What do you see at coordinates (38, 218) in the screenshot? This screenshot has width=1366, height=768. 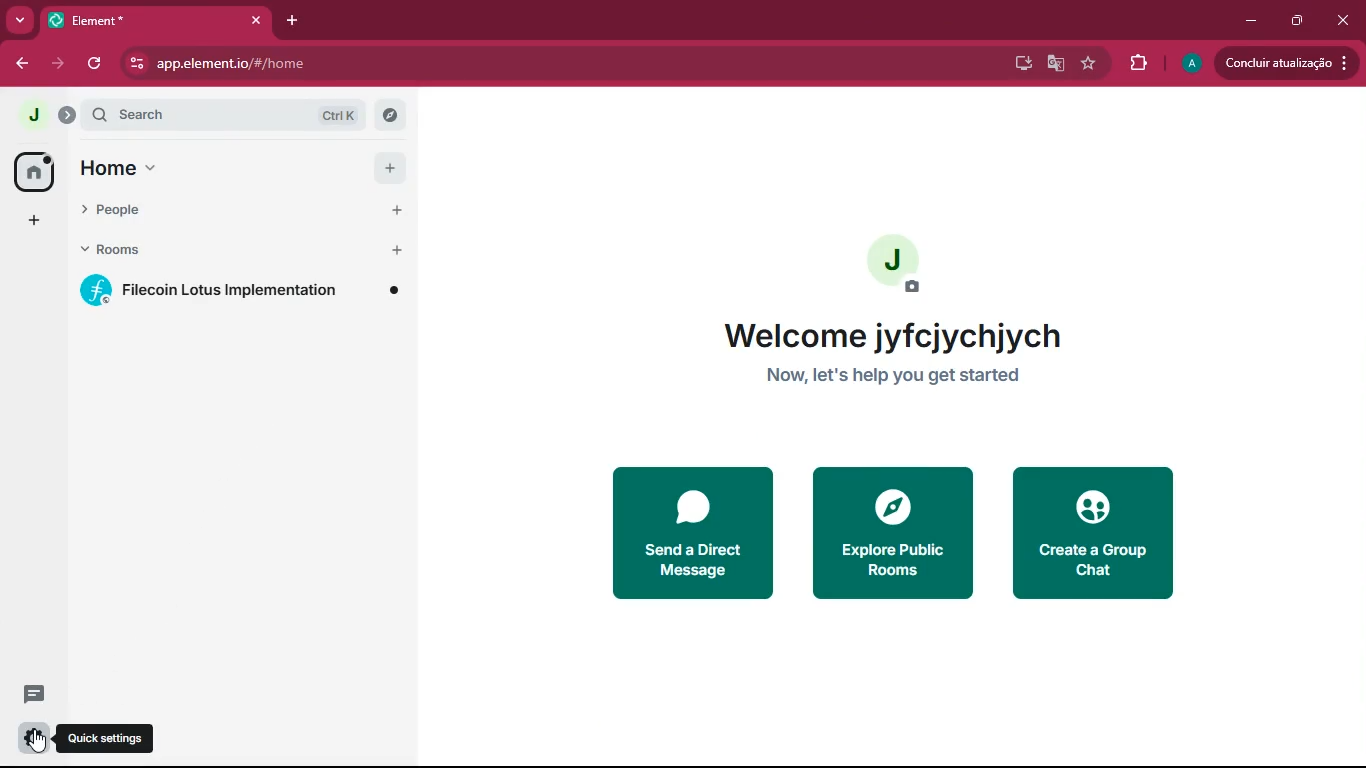 I see `add` at bounding box center [38, 218].